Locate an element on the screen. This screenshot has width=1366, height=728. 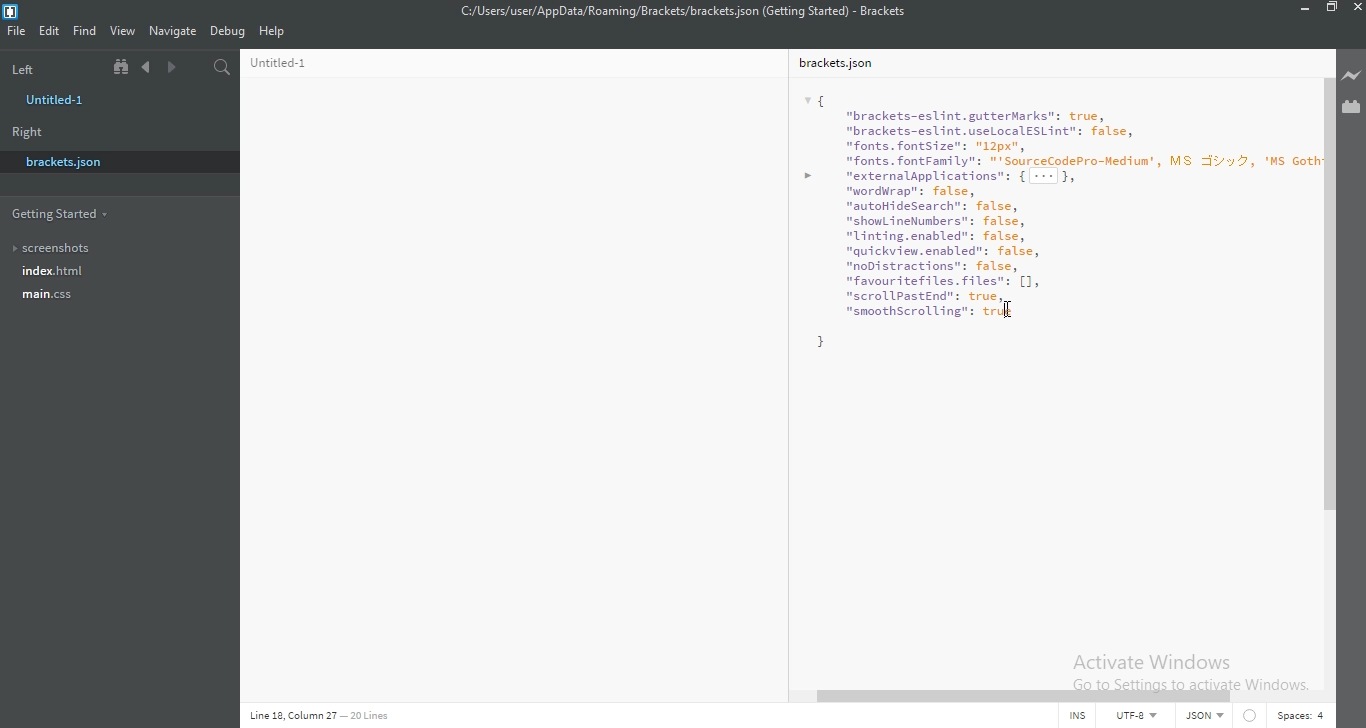
Help is located at coordinates (273, 33).